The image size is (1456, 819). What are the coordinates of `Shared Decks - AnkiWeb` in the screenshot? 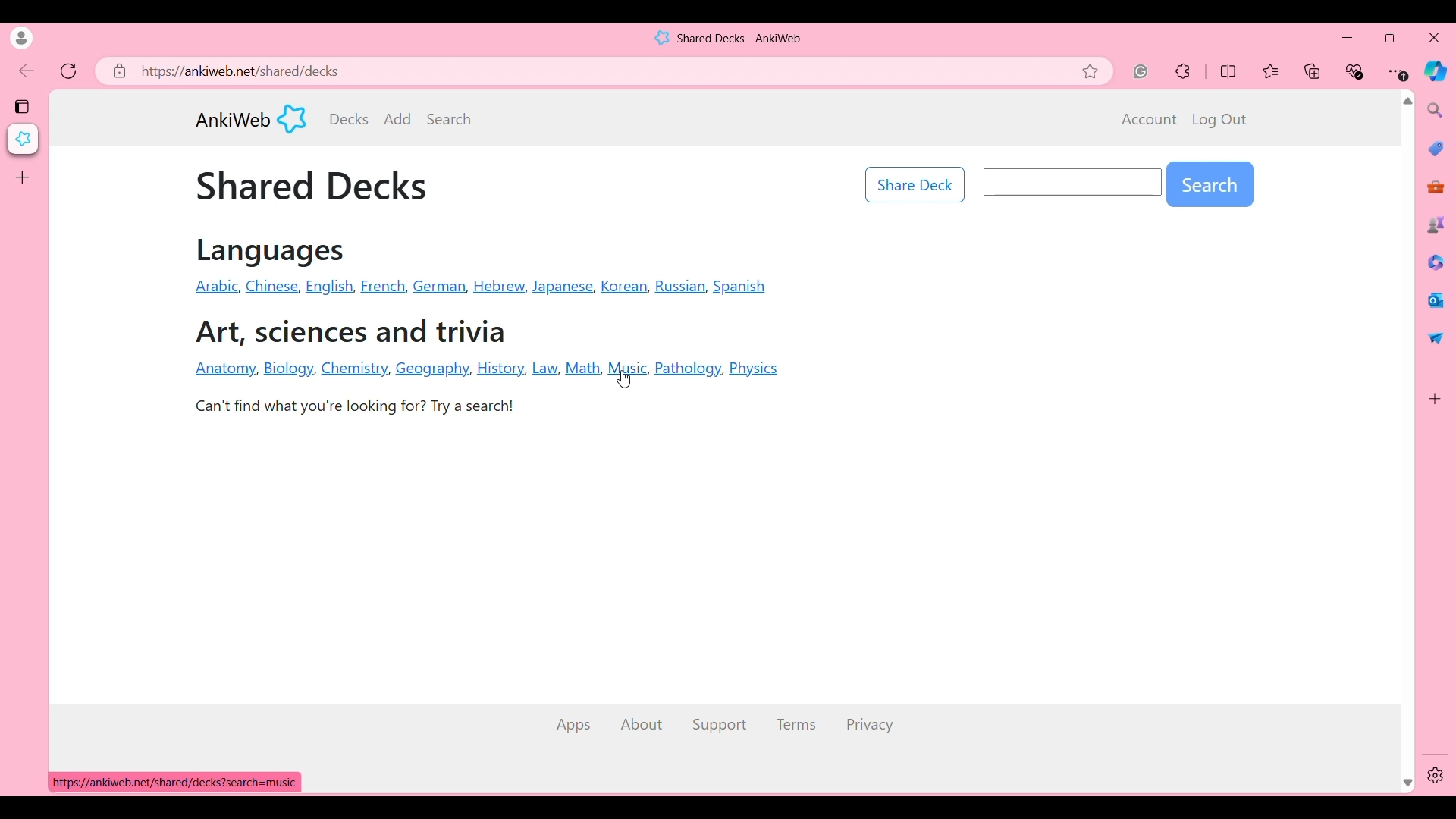 It's located at (741, 39).